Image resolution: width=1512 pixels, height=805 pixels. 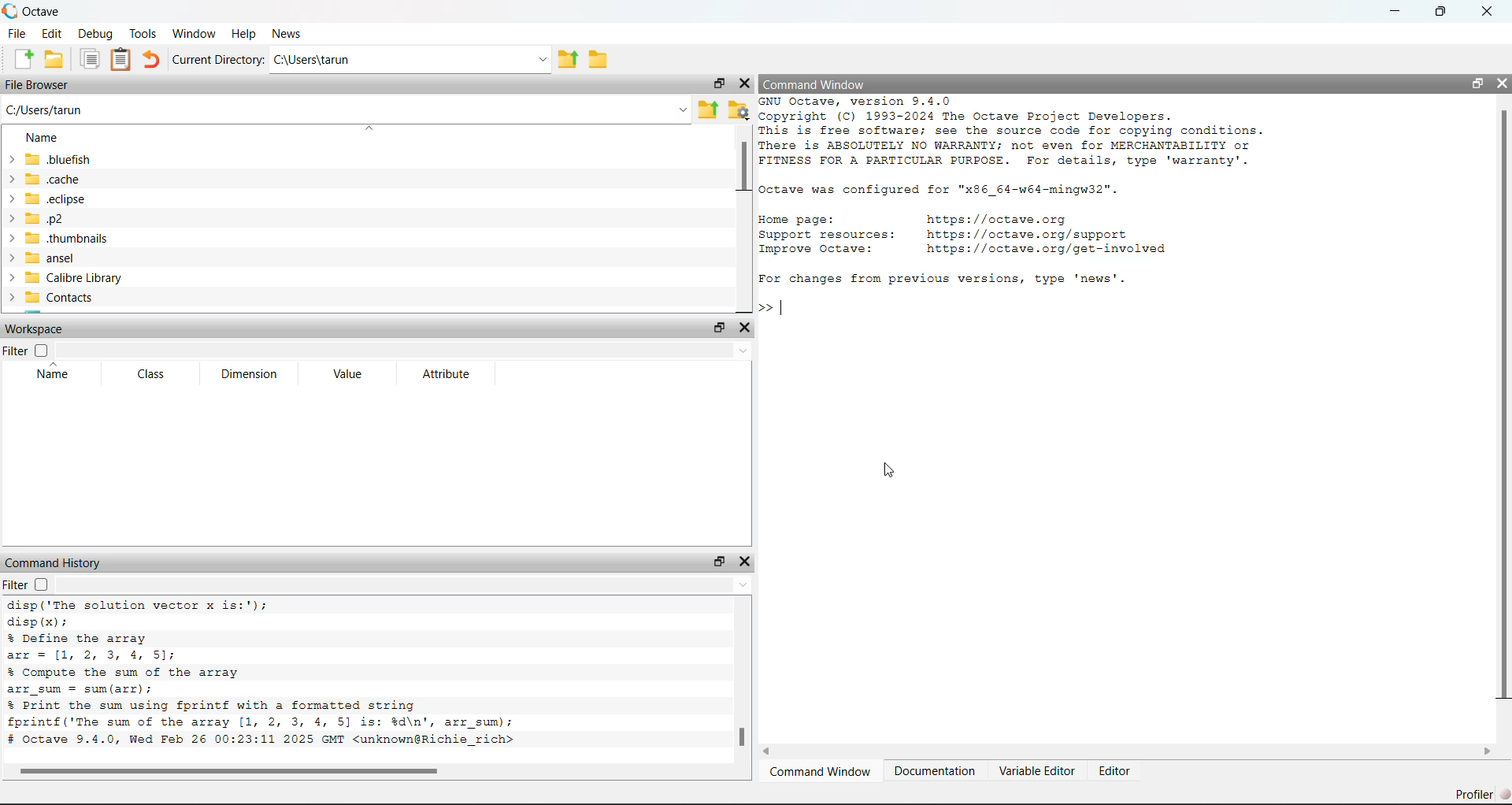 What do you see at coordinates (406, 348) in the screenshot?
I see `drop down` at bounding box center [406, 348].